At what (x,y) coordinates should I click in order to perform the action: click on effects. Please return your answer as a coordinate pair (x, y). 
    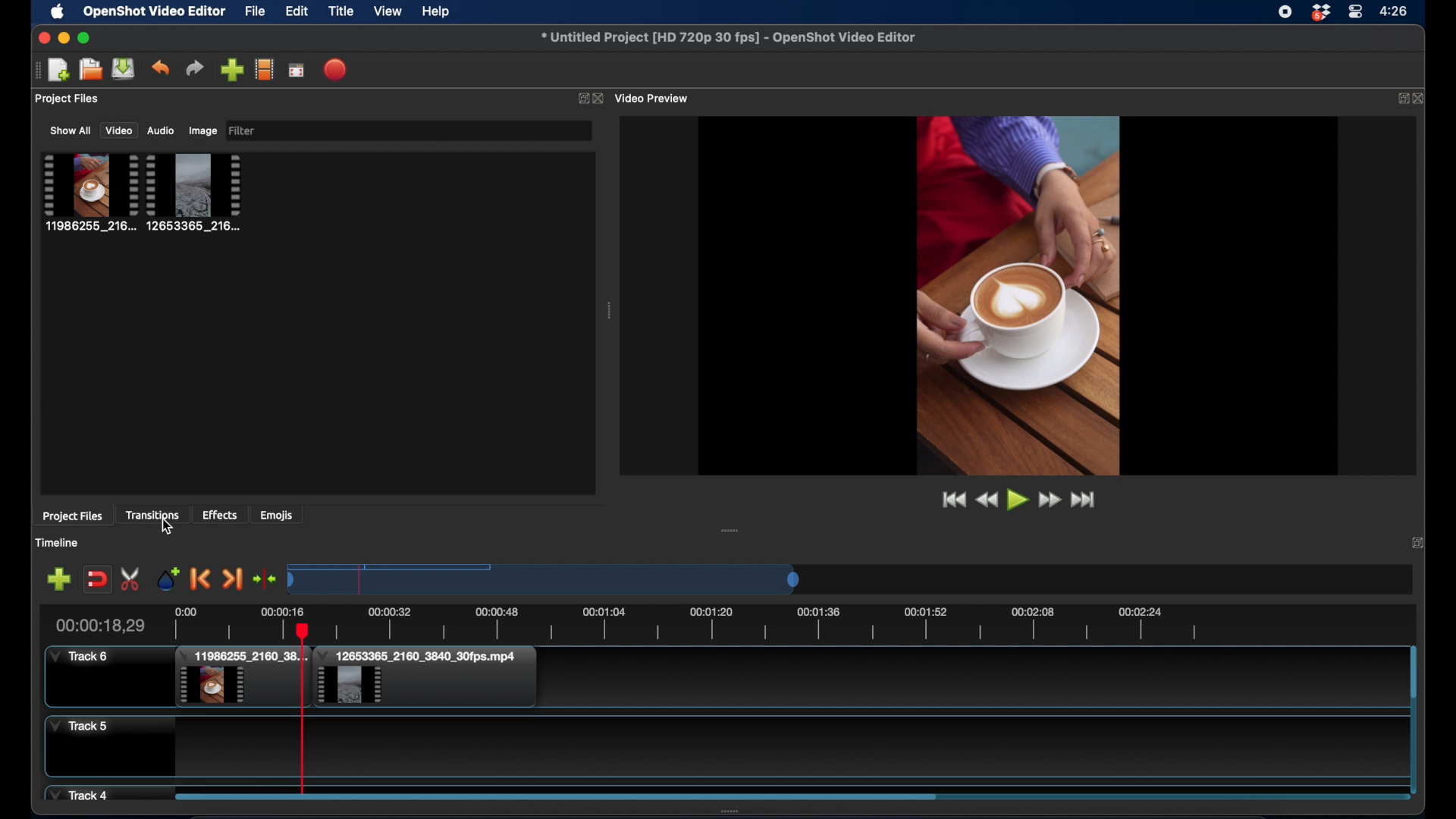
    Looking at the image, I should click on (221, 515).